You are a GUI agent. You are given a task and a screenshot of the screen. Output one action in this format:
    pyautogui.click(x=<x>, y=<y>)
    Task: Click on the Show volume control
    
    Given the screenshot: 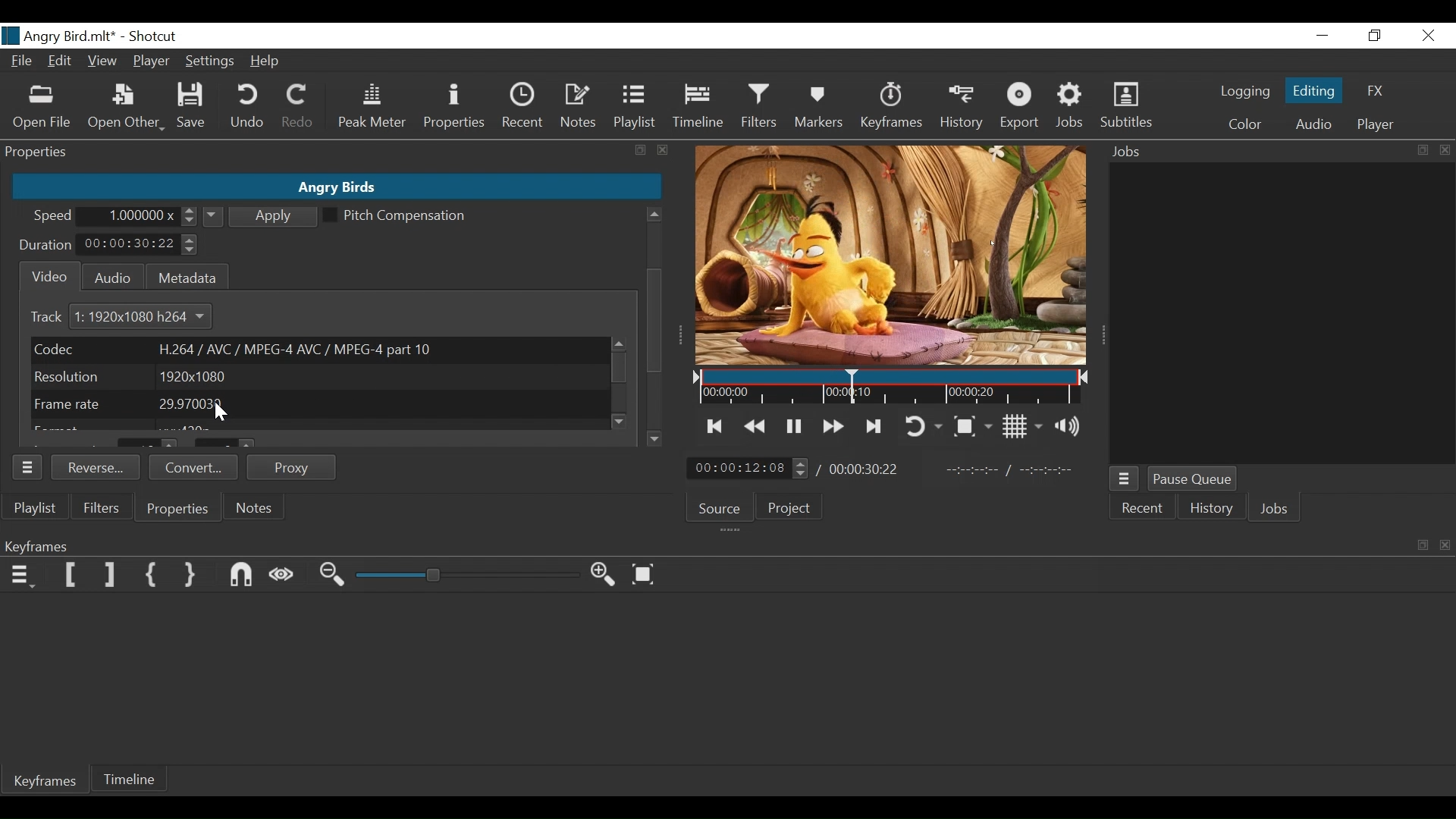 What is the action you would take?
    pyautogui.click(x=1070, y=428)
    